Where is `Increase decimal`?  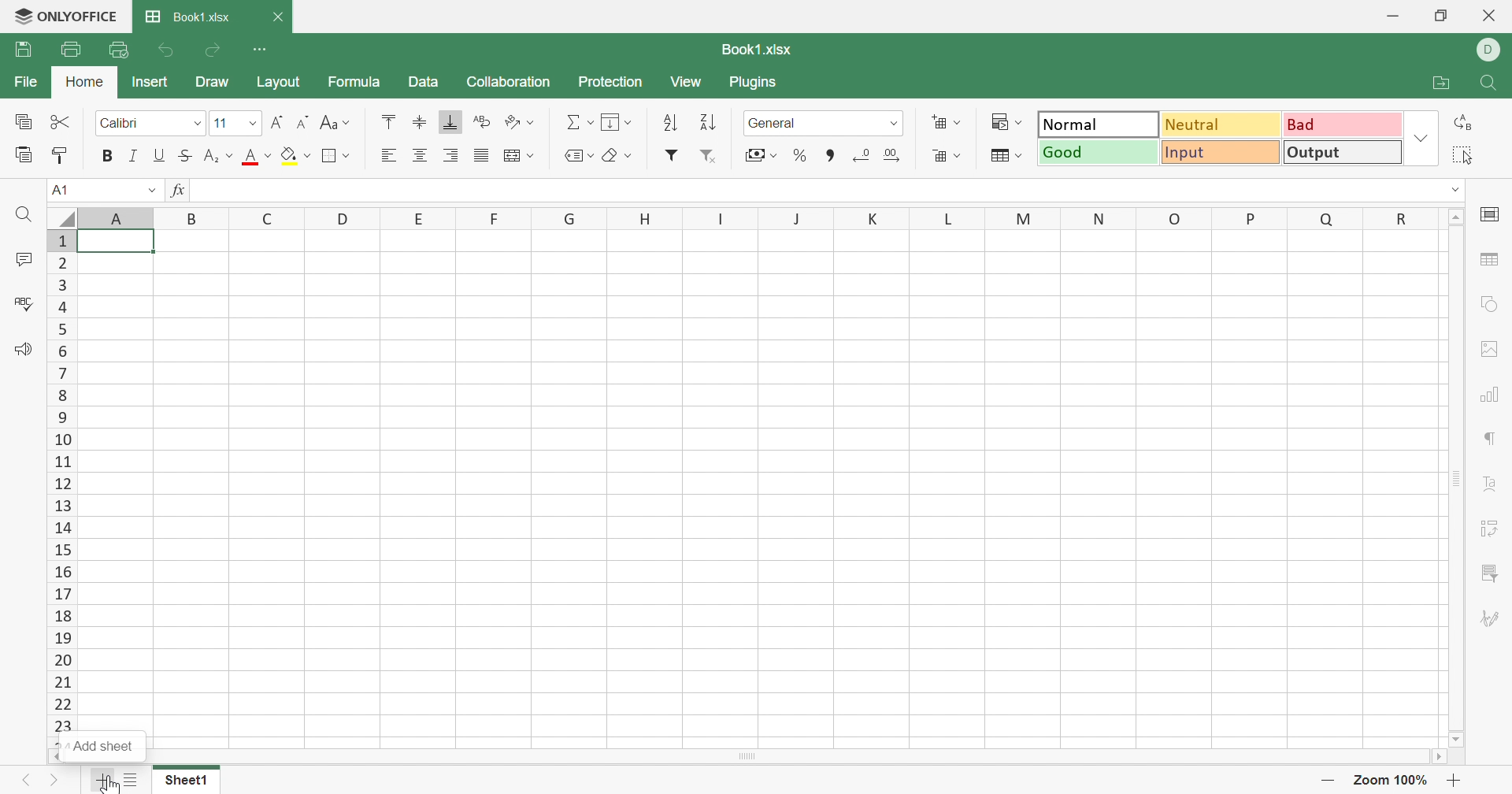 Increase decimal is located at coordinates (892, 155).